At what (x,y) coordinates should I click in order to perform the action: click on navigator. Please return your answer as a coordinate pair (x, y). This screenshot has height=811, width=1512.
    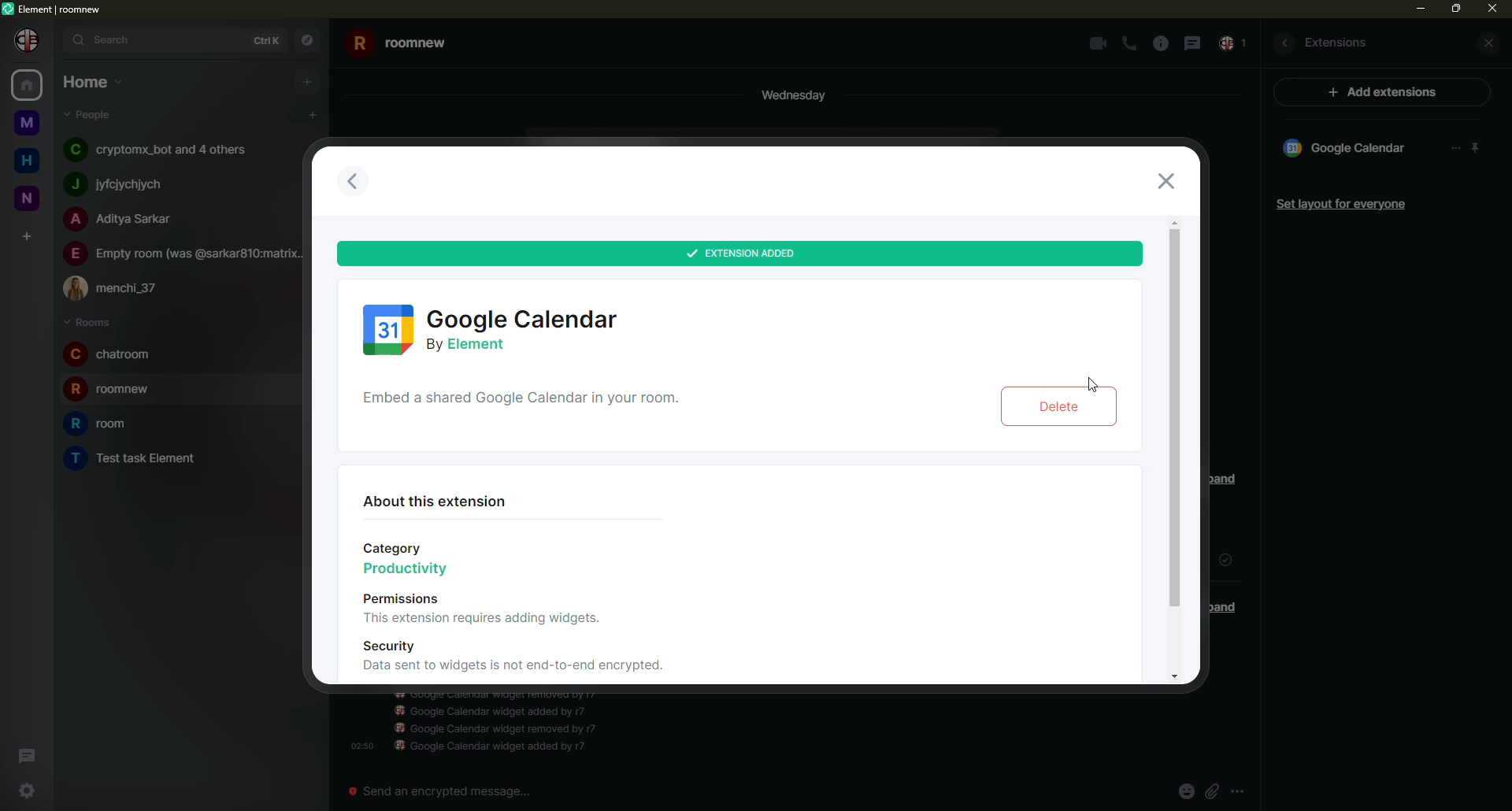
    Looking at the image, I should click on (308, 39).